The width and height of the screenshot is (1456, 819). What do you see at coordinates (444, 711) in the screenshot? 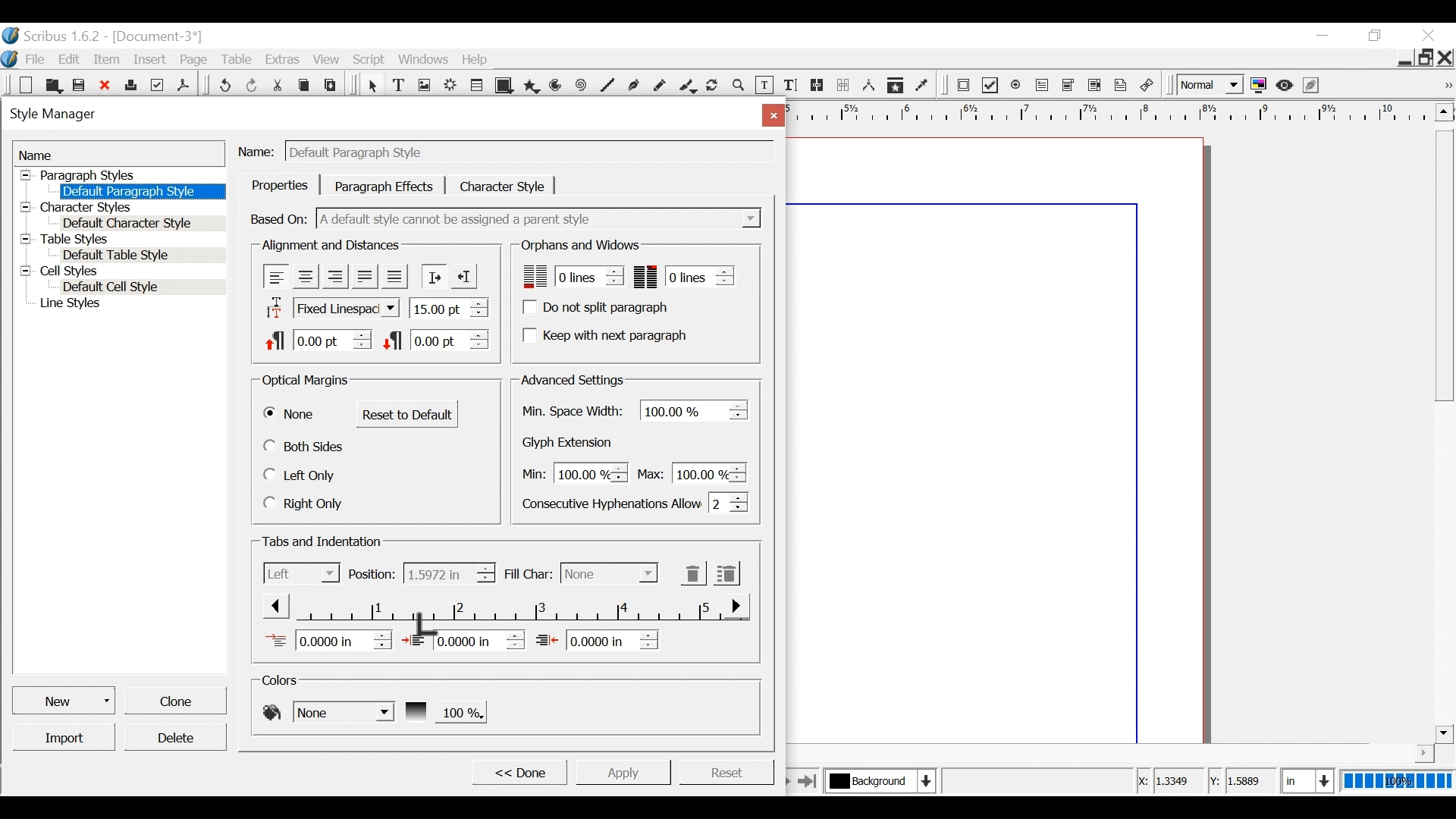
I see `Background shade` at bounding box center [444, 711].